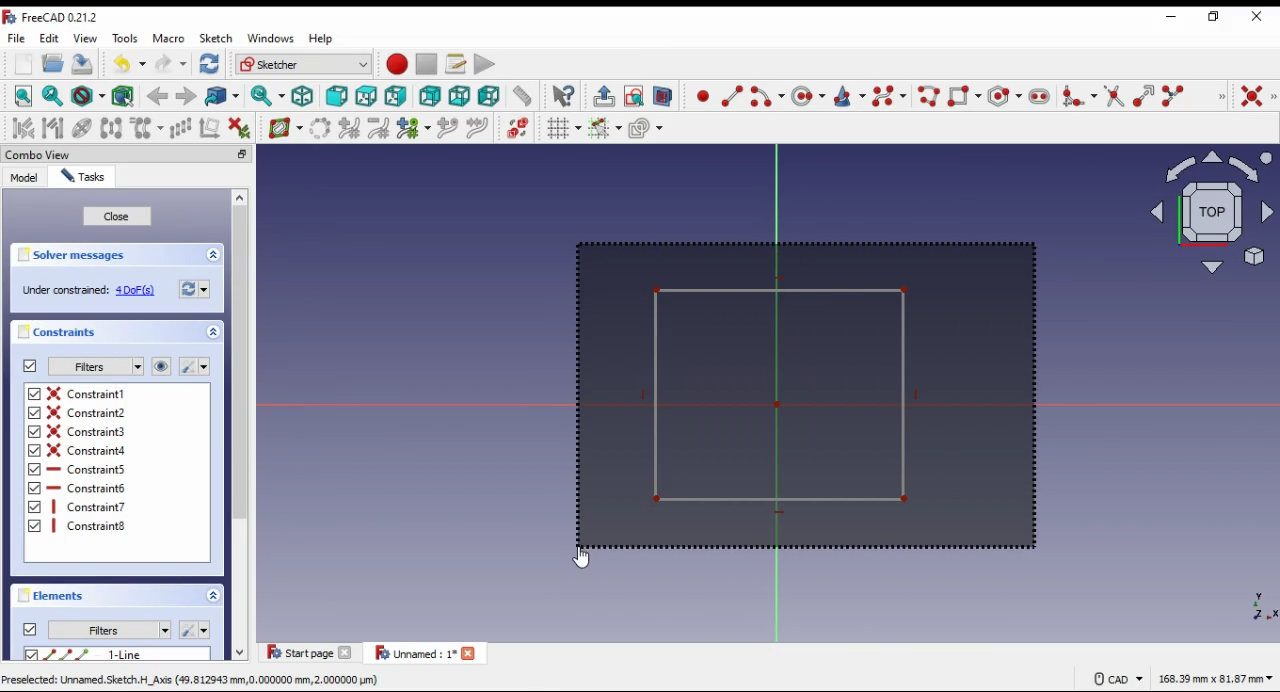 This screenshot has height=692, width=1280. I want to click on icon and window name, so click(54, 17).